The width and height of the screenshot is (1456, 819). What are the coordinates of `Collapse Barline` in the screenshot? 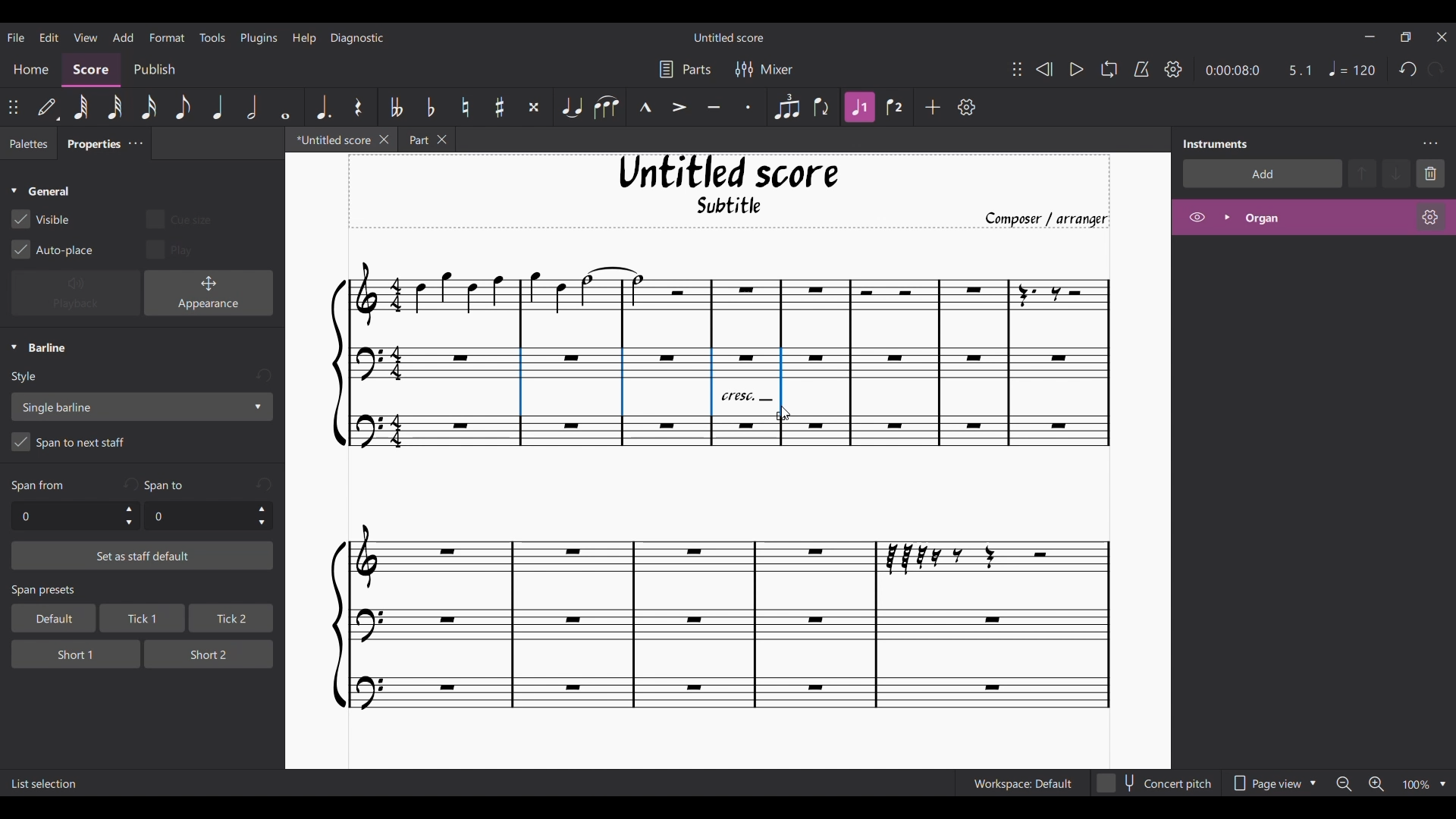 It's located at (39, 348).